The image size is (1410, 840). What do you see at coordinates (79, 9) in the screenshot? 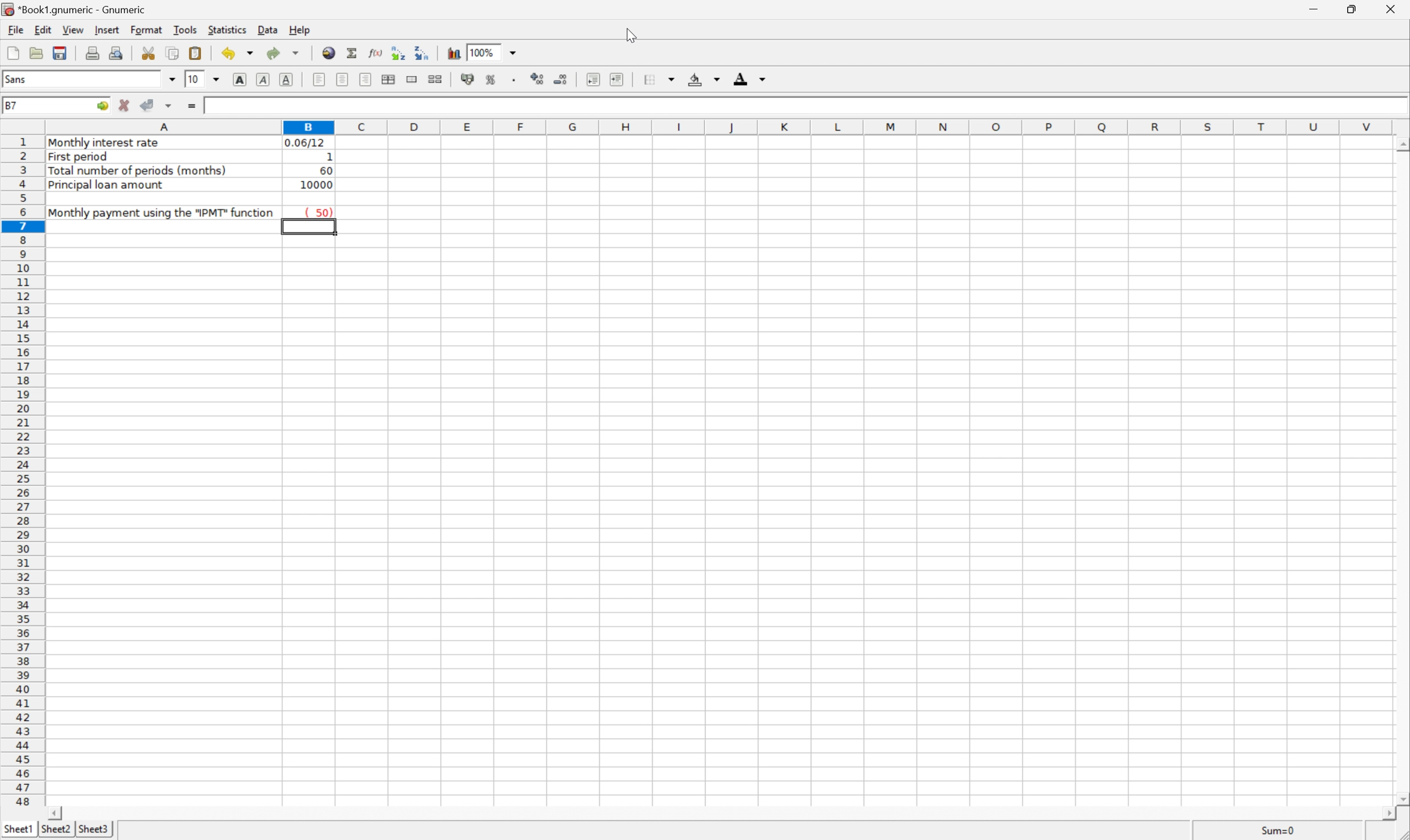
I see `*Book1.gnumeric - Gnumeric` at bounding box center [79, 9].